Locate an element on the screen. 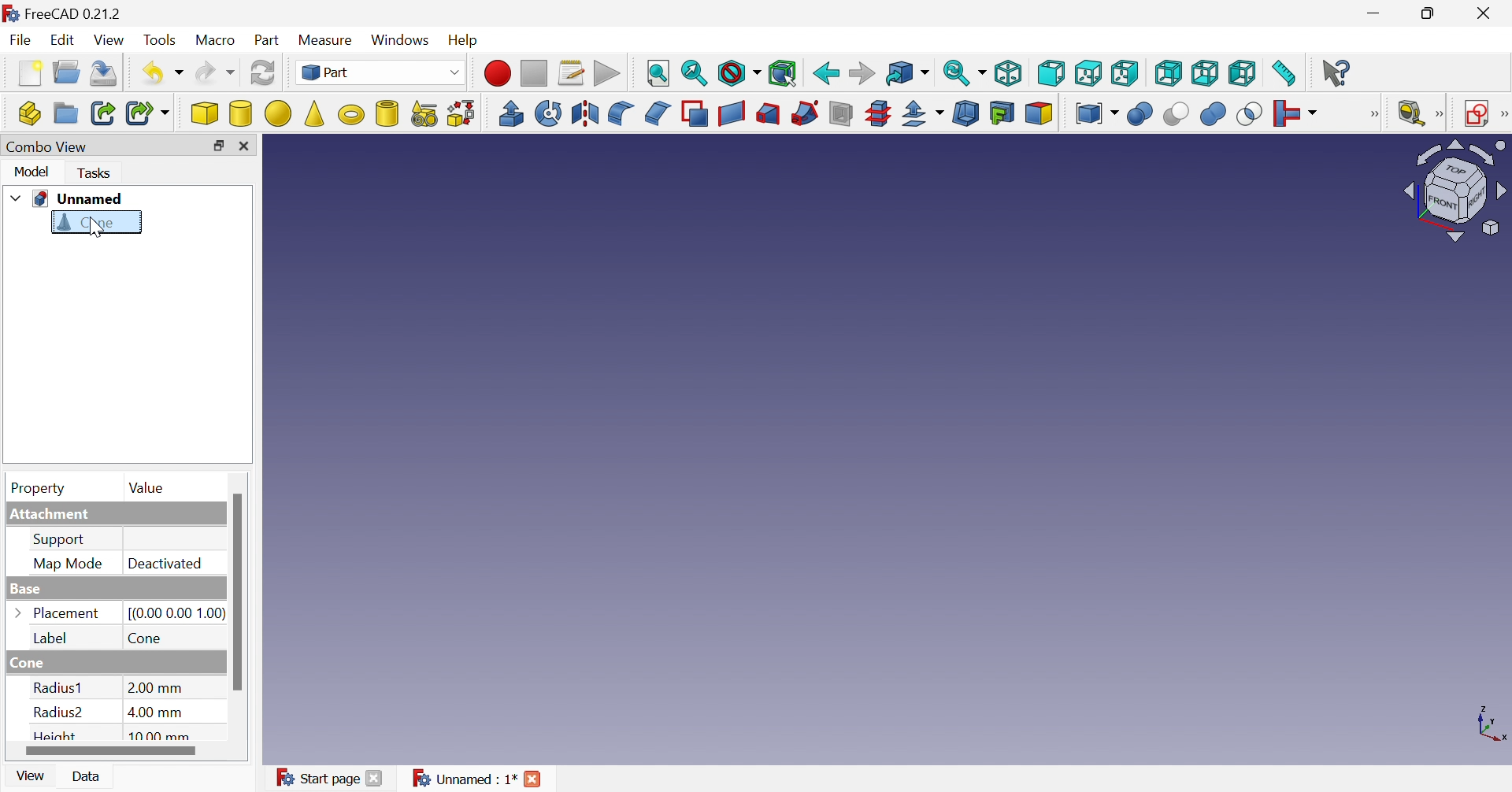  New is located at coordinates (26, 73).